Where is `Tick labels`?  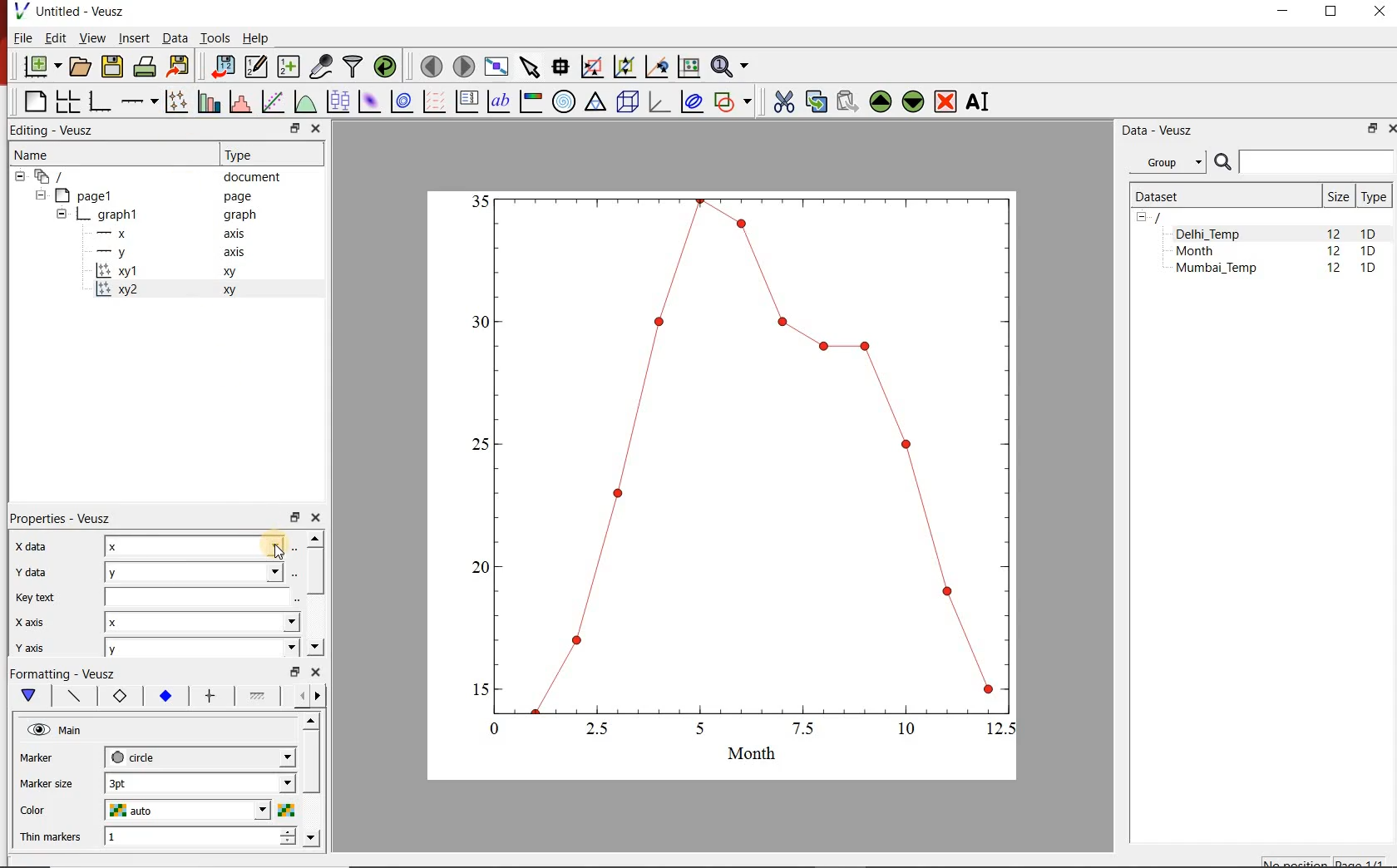
Tick labels is located at coordinates (164, 693).